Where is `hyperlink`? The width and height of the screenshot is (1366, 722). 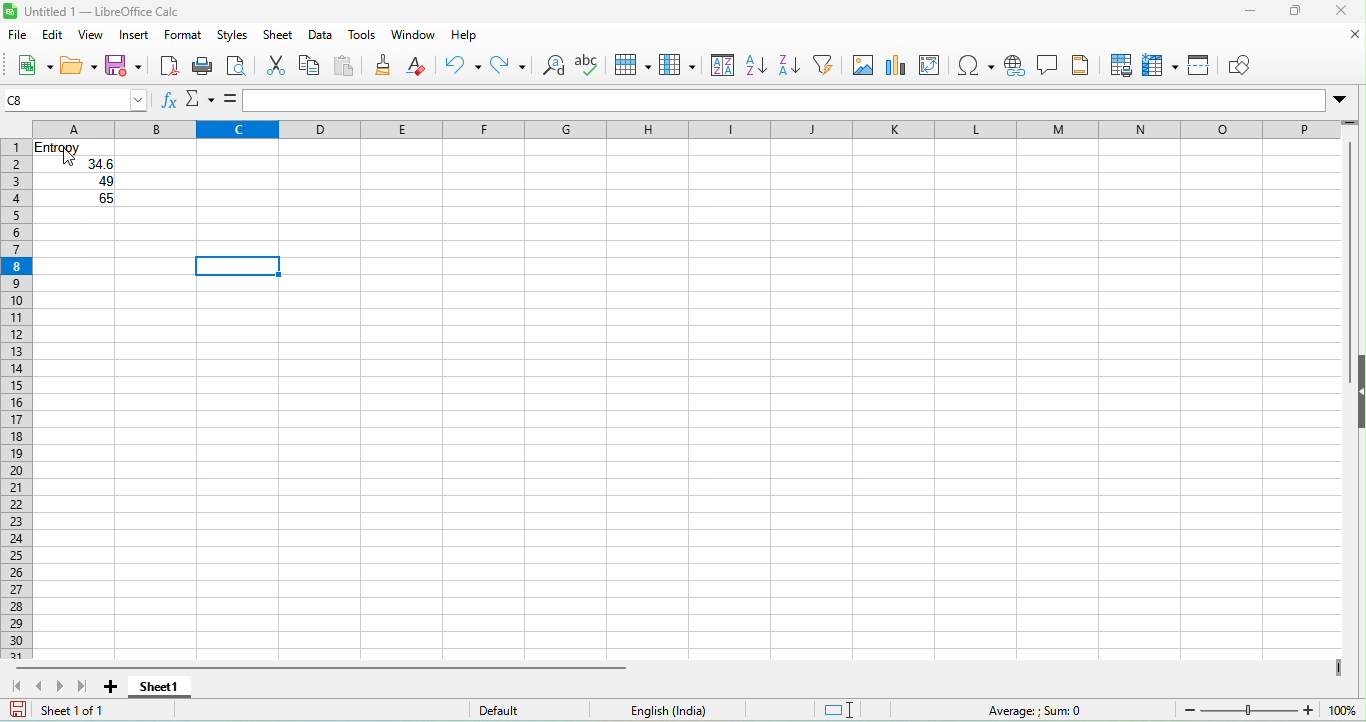 hyperlink is located at coordinates (1016, 68).